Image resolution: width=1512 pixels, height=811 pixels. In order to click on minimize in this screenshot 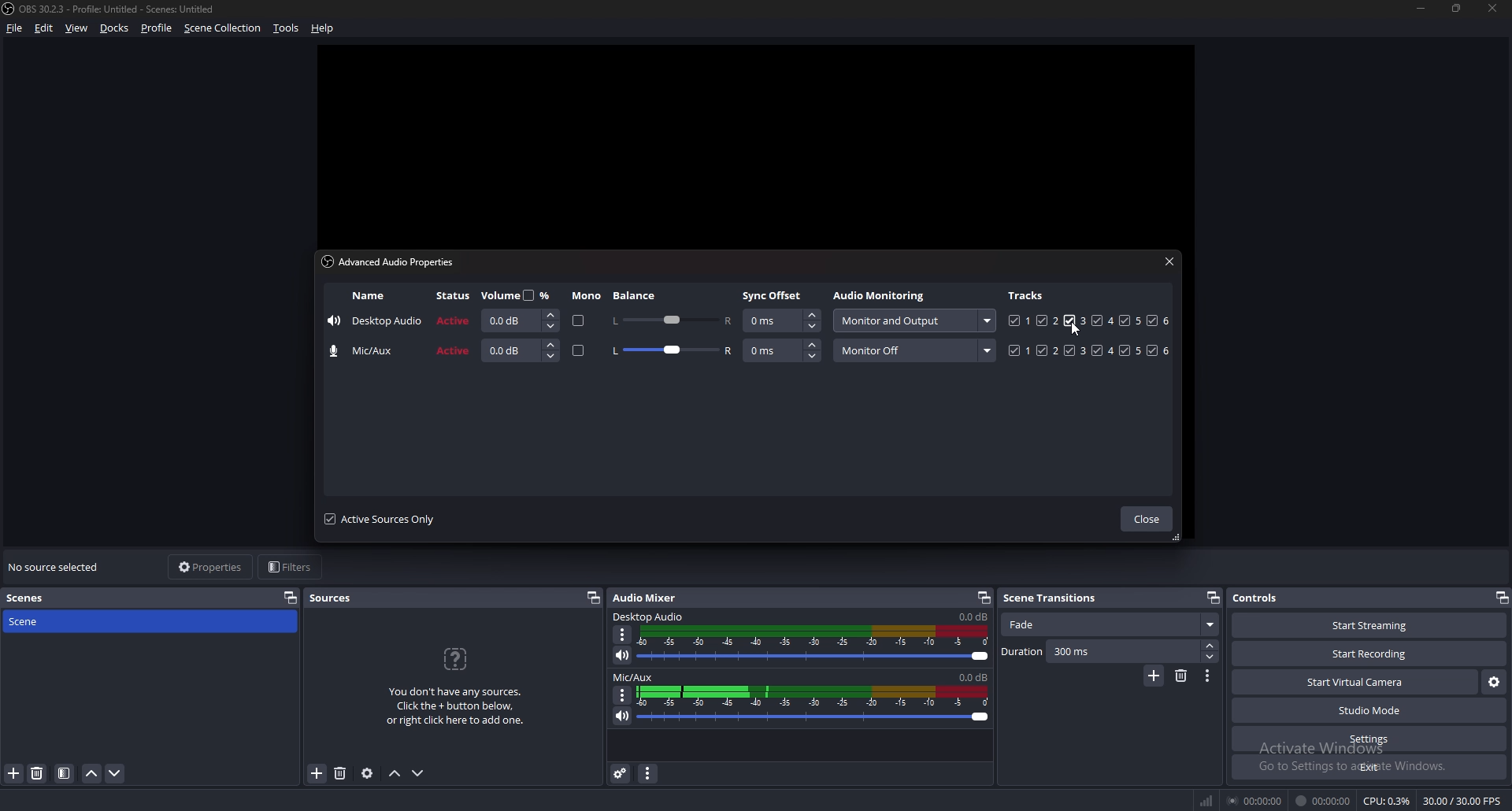, I will do `click(1421, 9)`.